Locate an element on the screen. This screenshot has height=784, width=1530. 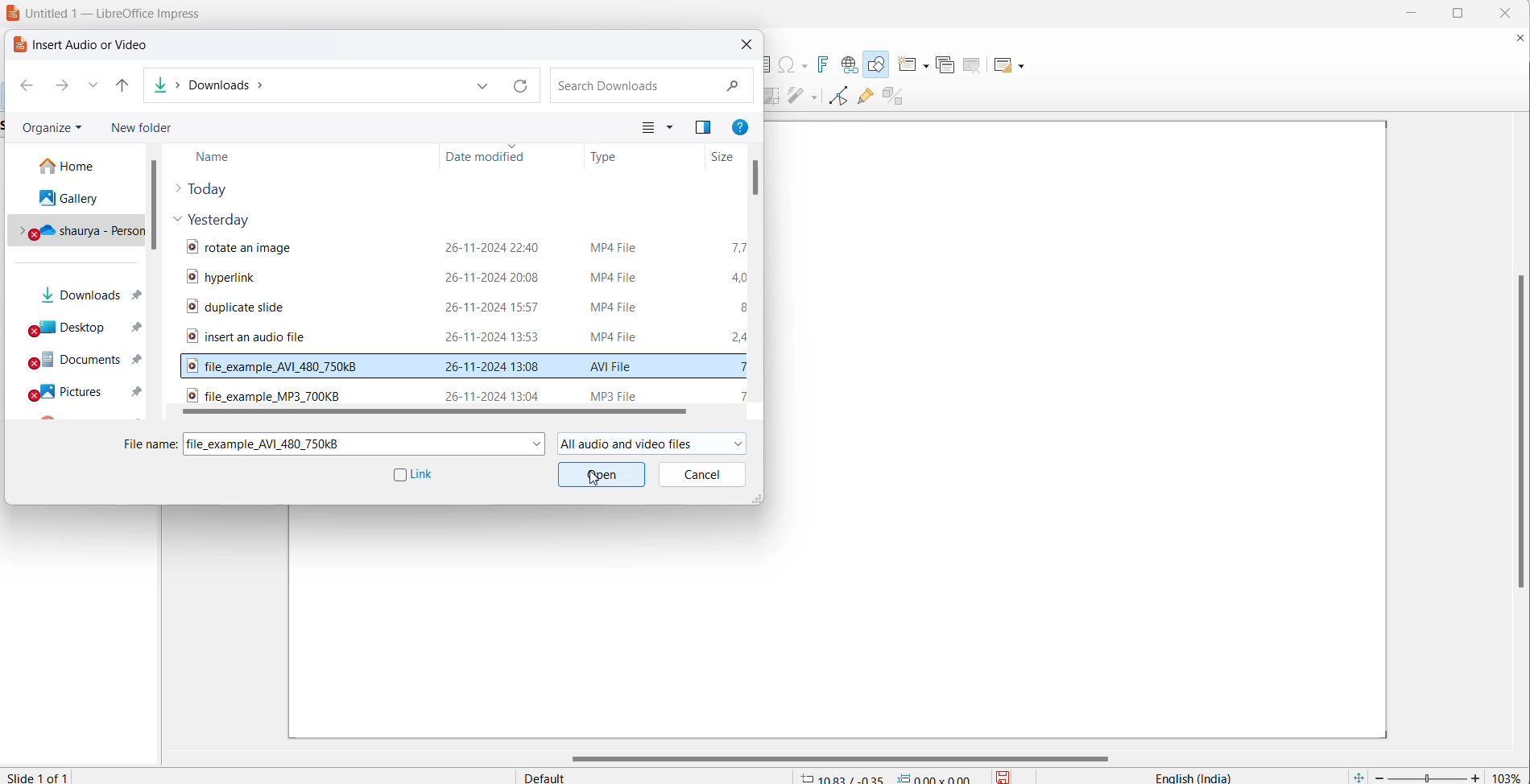
close is located at coordinates (1507, 13).